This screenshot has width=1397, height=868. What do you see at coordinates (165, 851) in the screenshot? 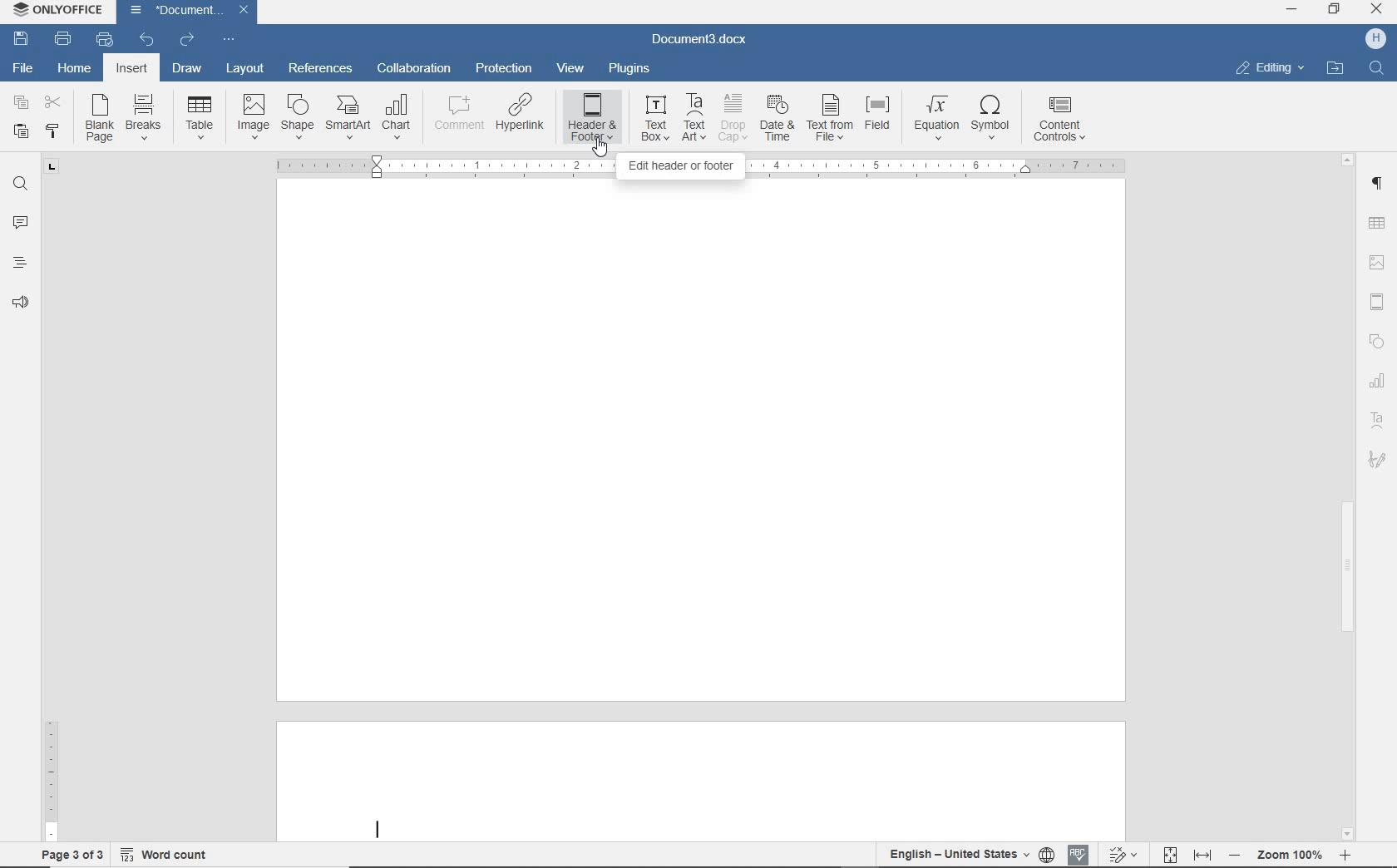
I see `Word count` at bounding box center [165, 851].